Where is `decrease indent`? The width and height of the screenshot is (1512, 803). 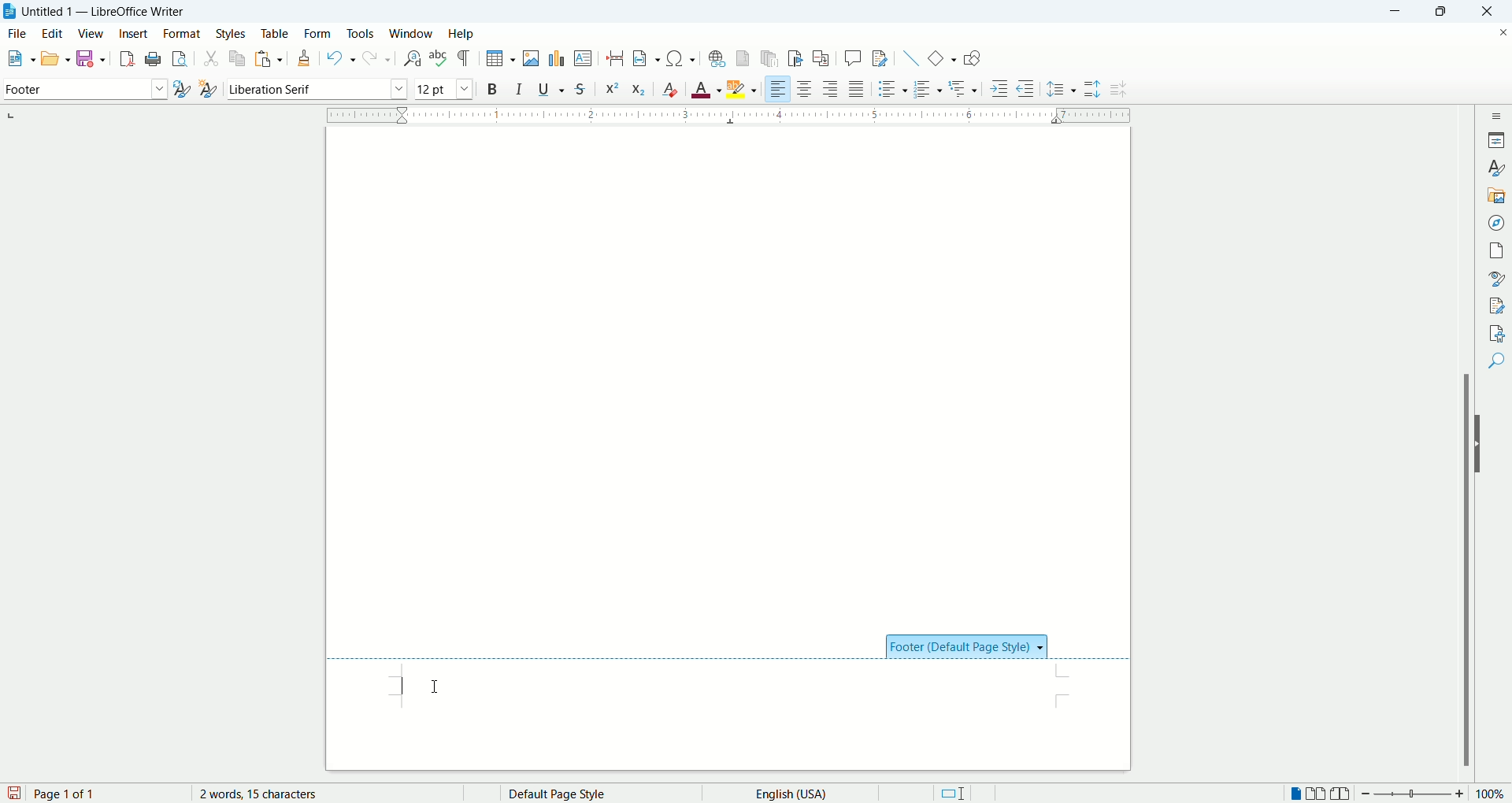 decrease indent is located at coordinates (1025, 88).